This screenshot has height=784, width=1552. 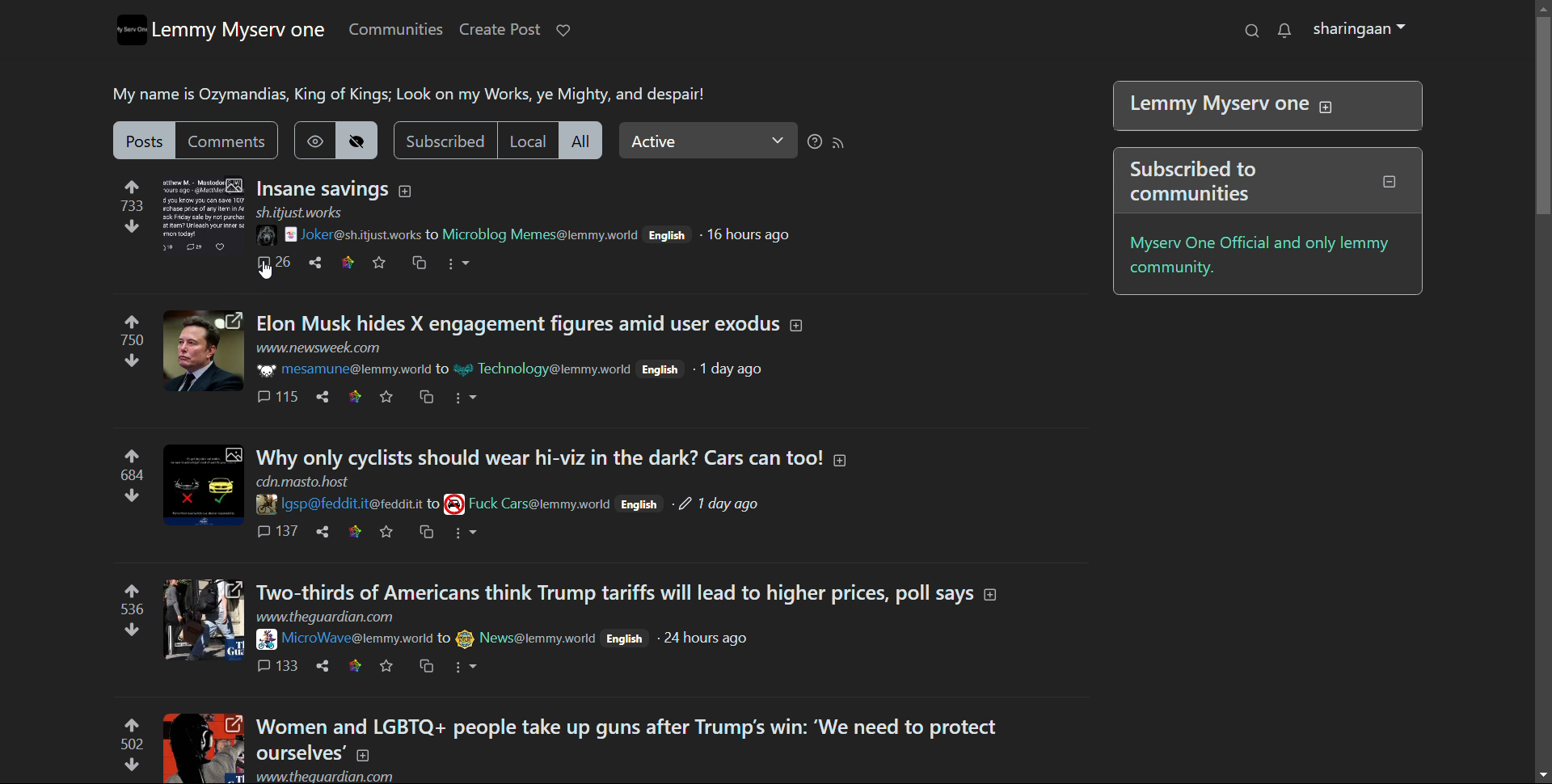 I want to click on community, so click(x=543, y=369).